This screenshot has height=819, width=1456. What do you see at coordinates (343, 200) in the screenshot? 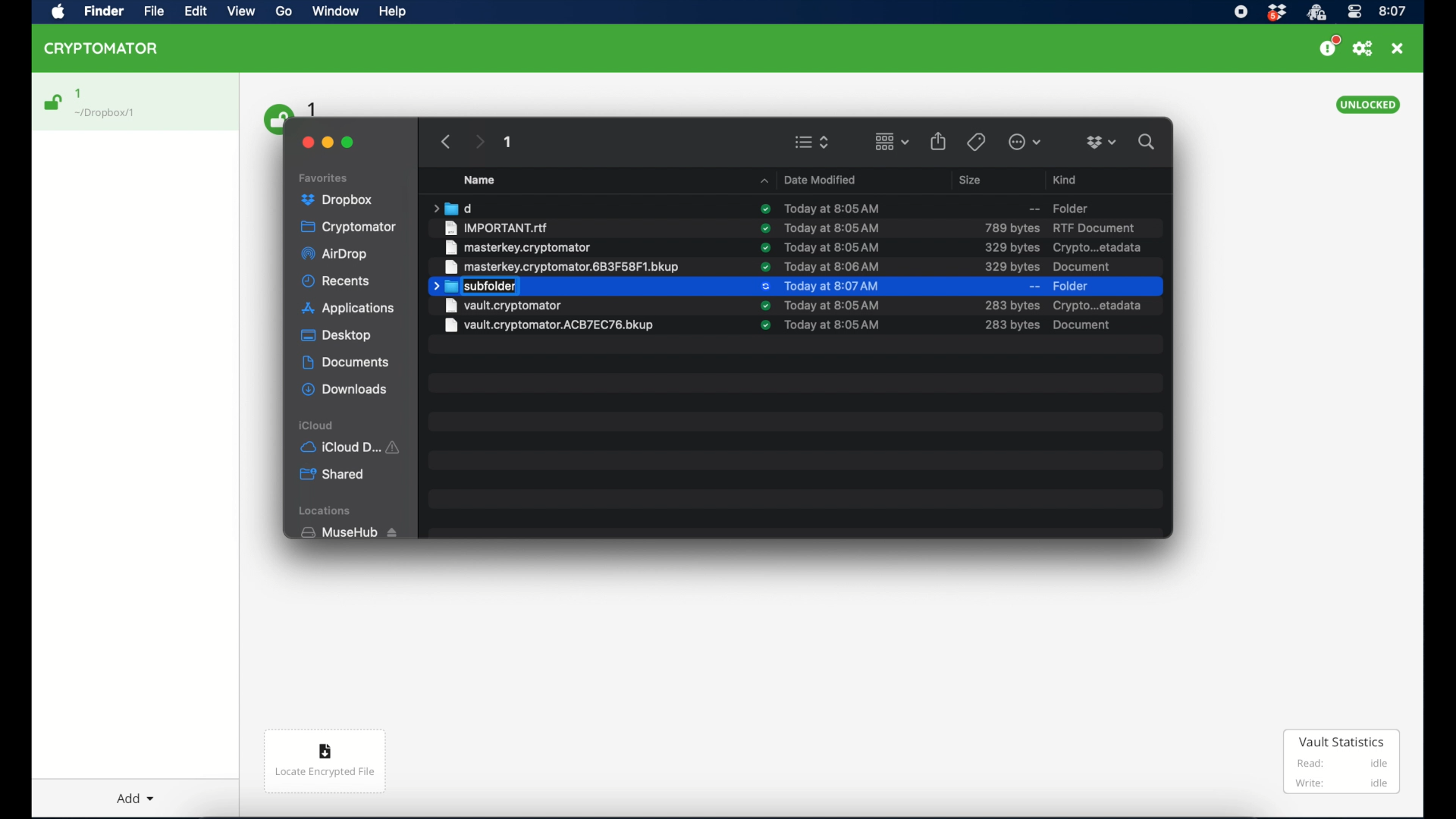
I see `dropbox highlighted` at bounding box center [343, 200].